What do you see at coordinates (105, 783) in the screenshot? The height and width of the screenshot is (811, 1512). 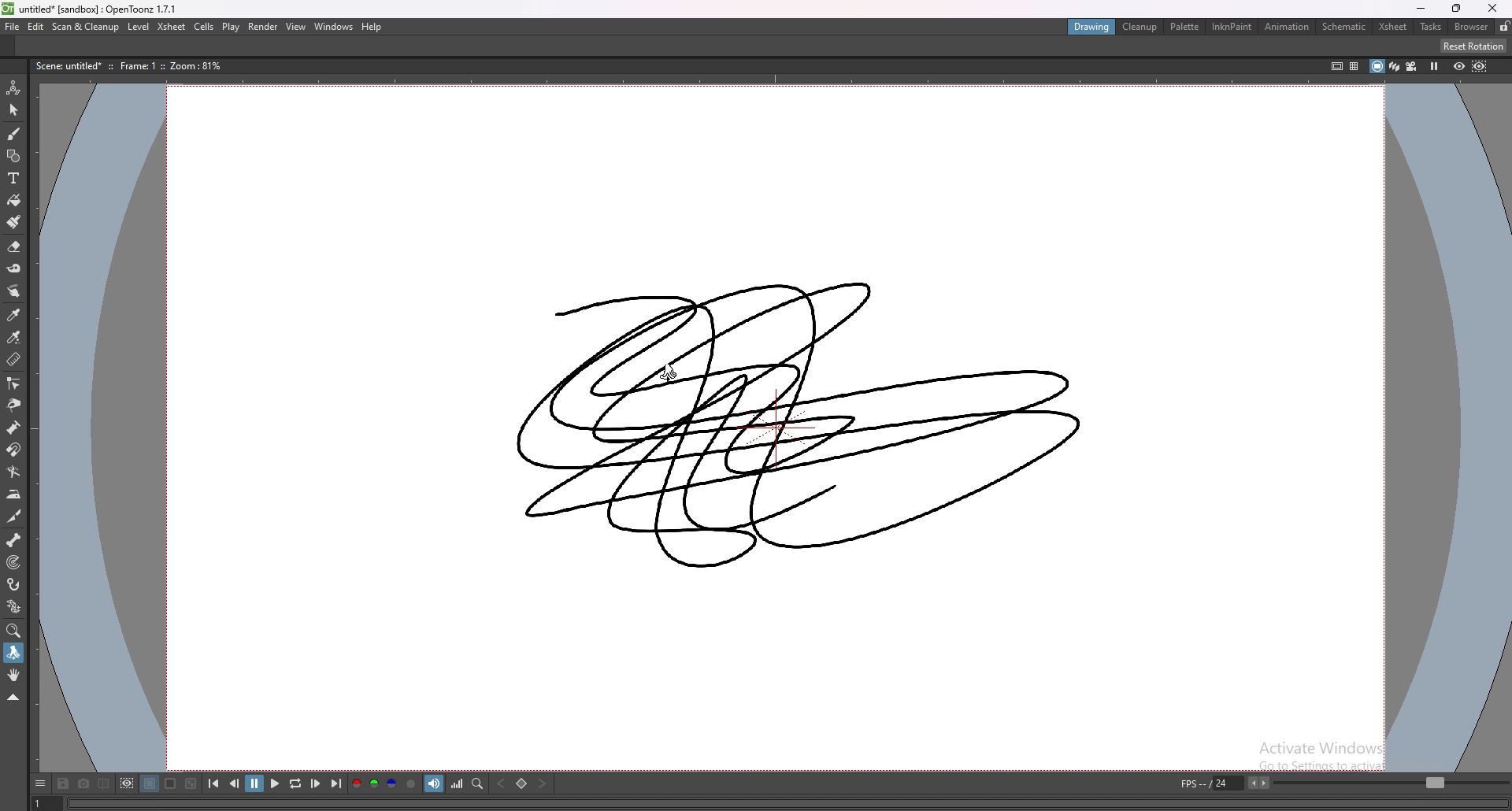 I see `compare to snapshot` at bounding box center [105, 783].